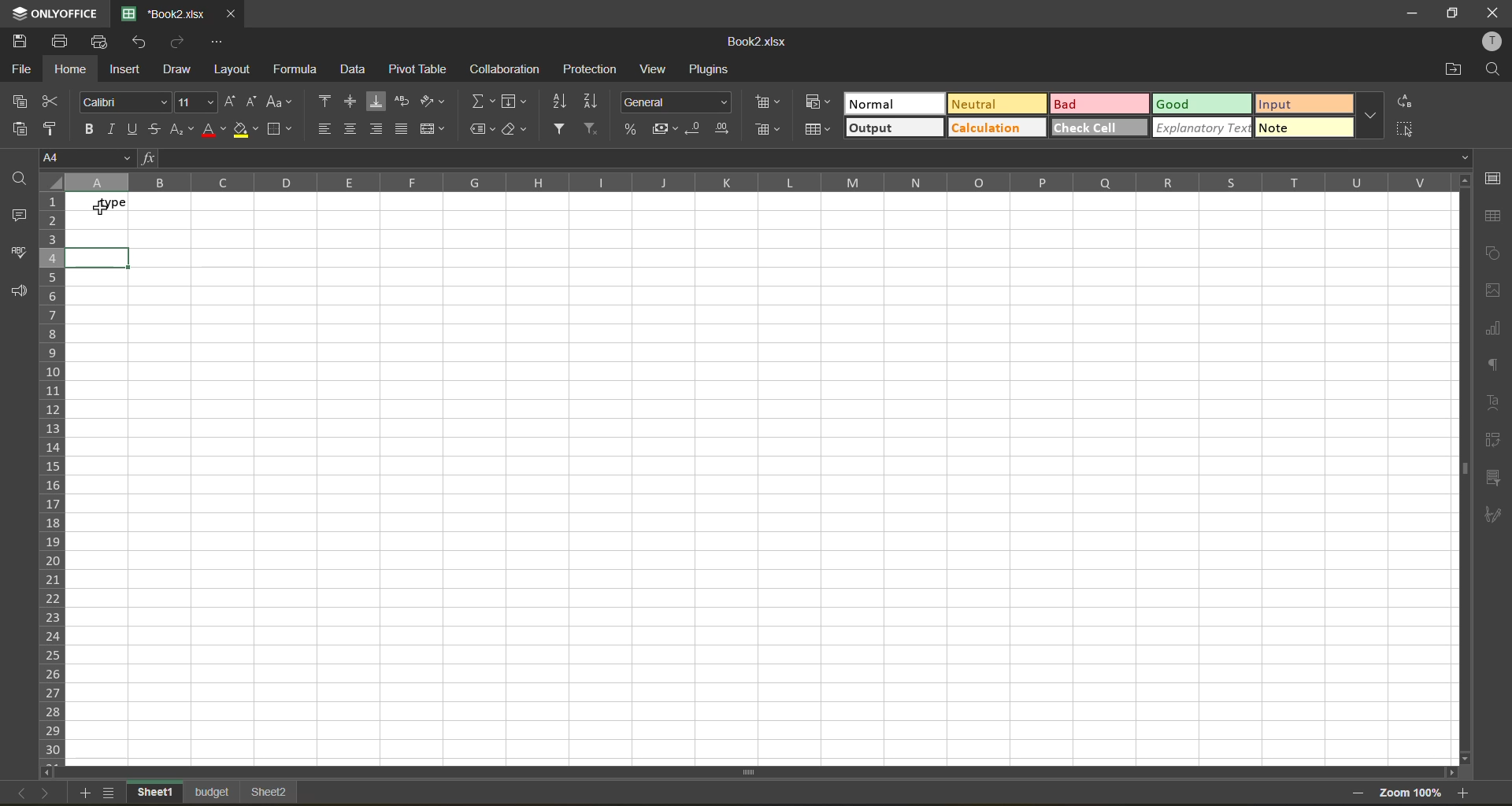 The image size is (1512, 806). I want to click on font color, so click(215, 131).